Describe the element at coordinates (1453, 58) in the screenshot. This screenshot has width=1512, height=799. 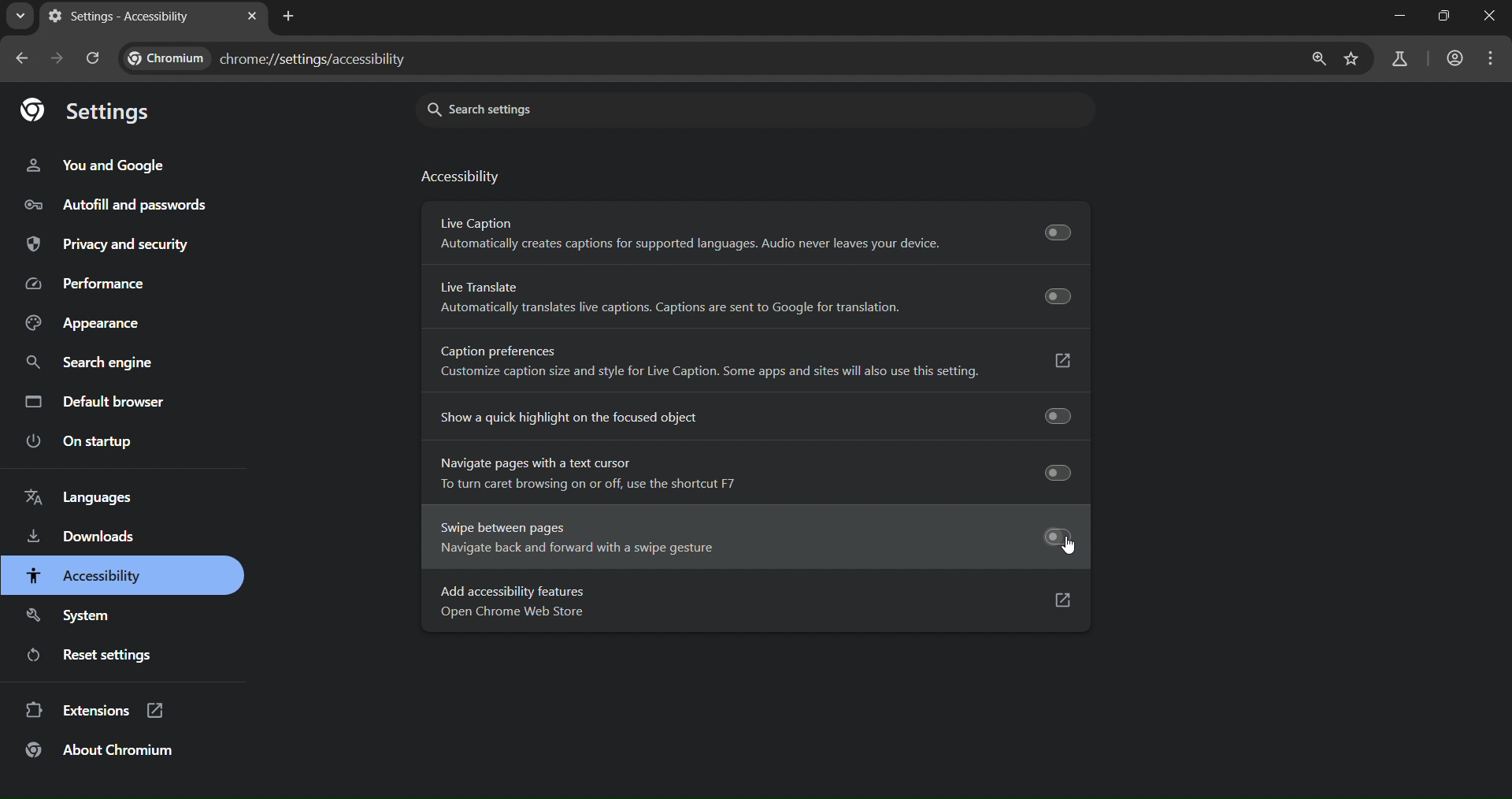
I see `account` at that location.